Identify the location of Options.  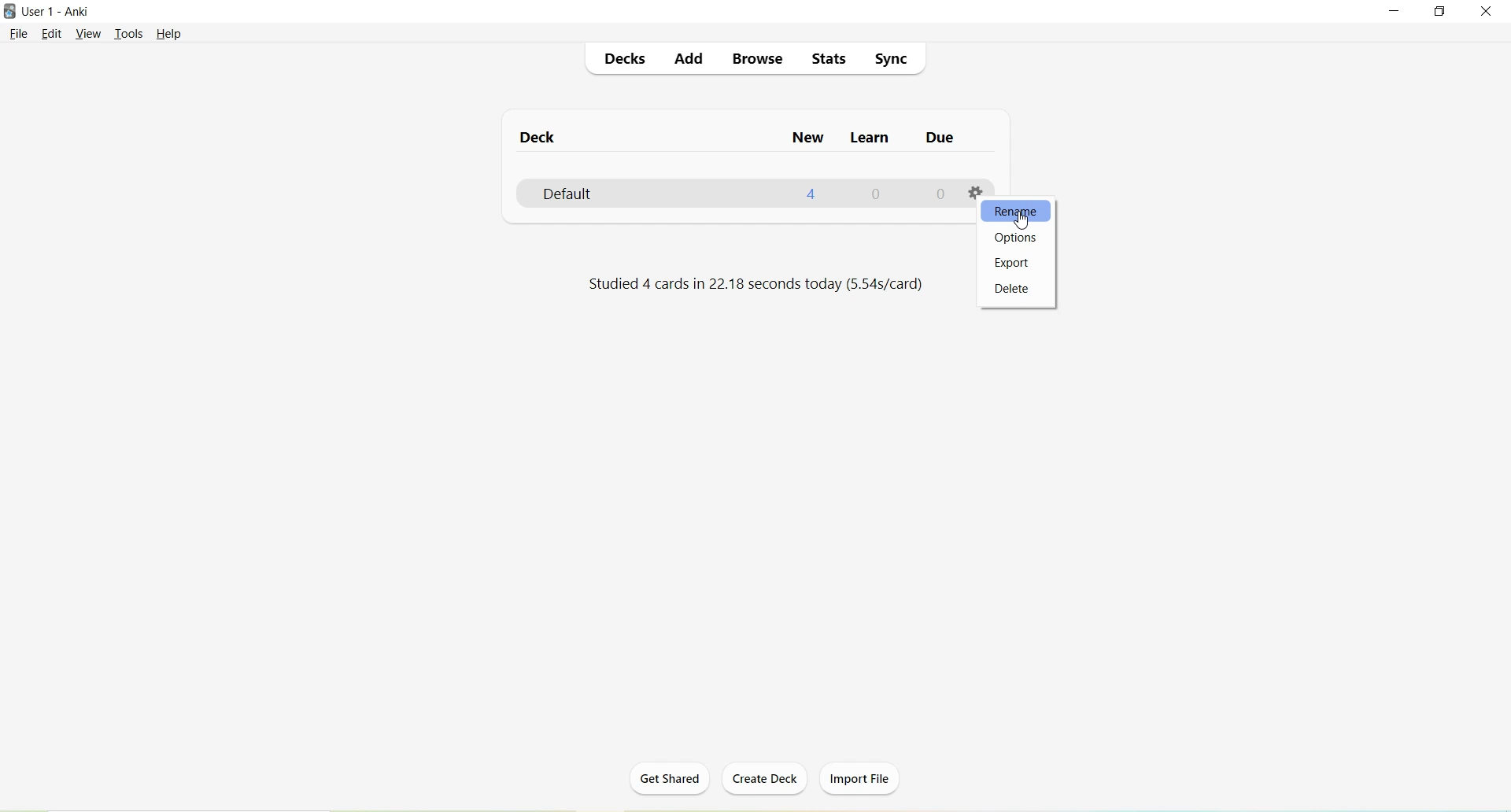
(1017, 236).